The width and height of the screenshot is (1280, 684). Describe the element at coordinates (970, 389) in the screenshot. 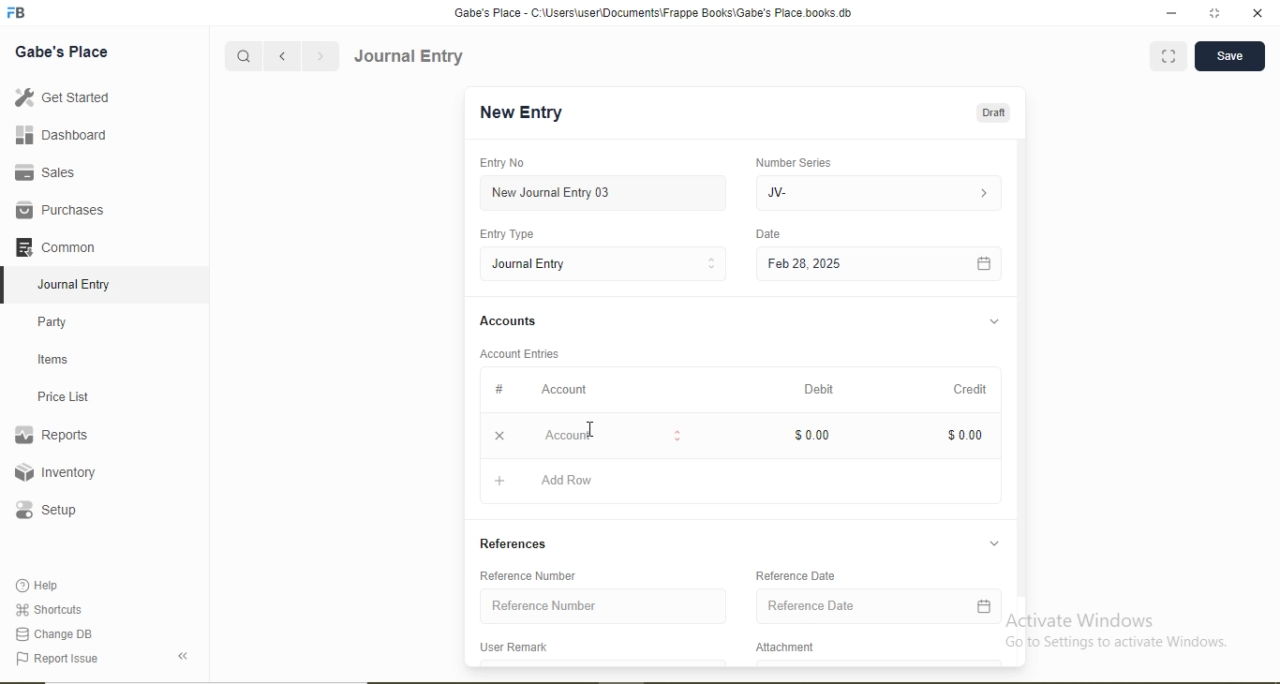

I see `Credit` at that location.